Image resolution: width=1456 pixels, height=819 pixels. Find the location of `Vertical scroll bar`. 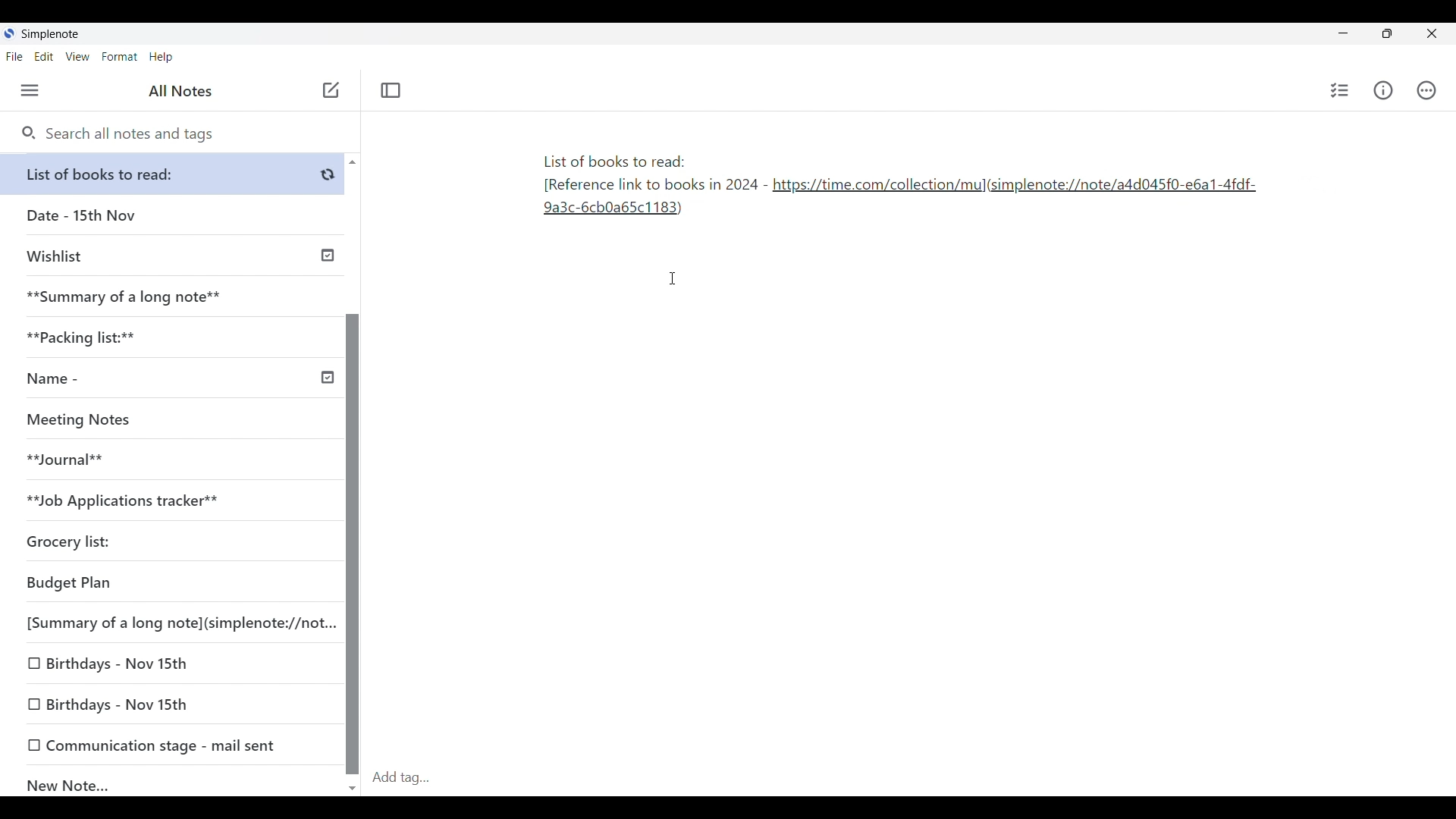

Vertical scroll bar is located at coordinates (352, 473).